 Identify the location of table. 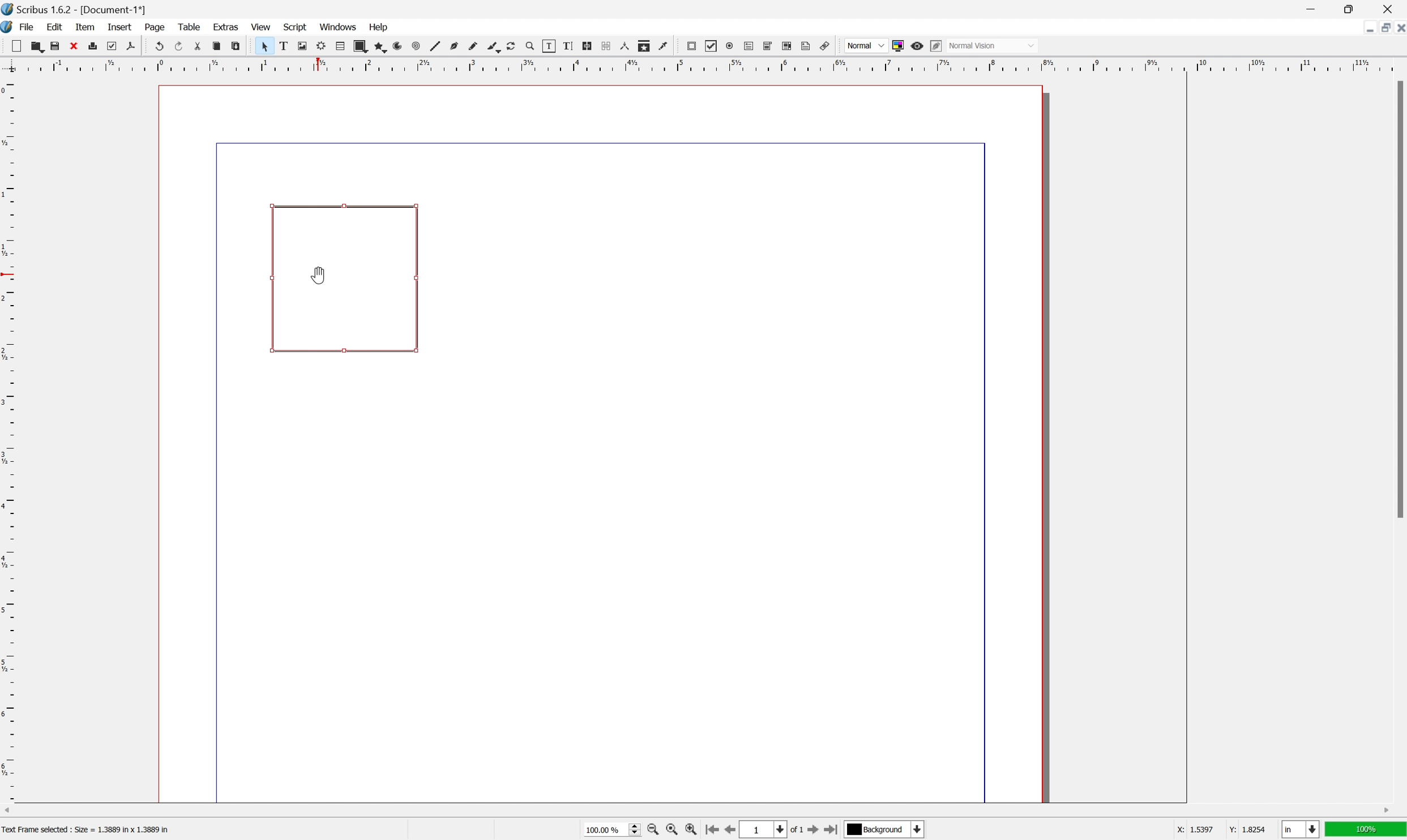
(340, 46).